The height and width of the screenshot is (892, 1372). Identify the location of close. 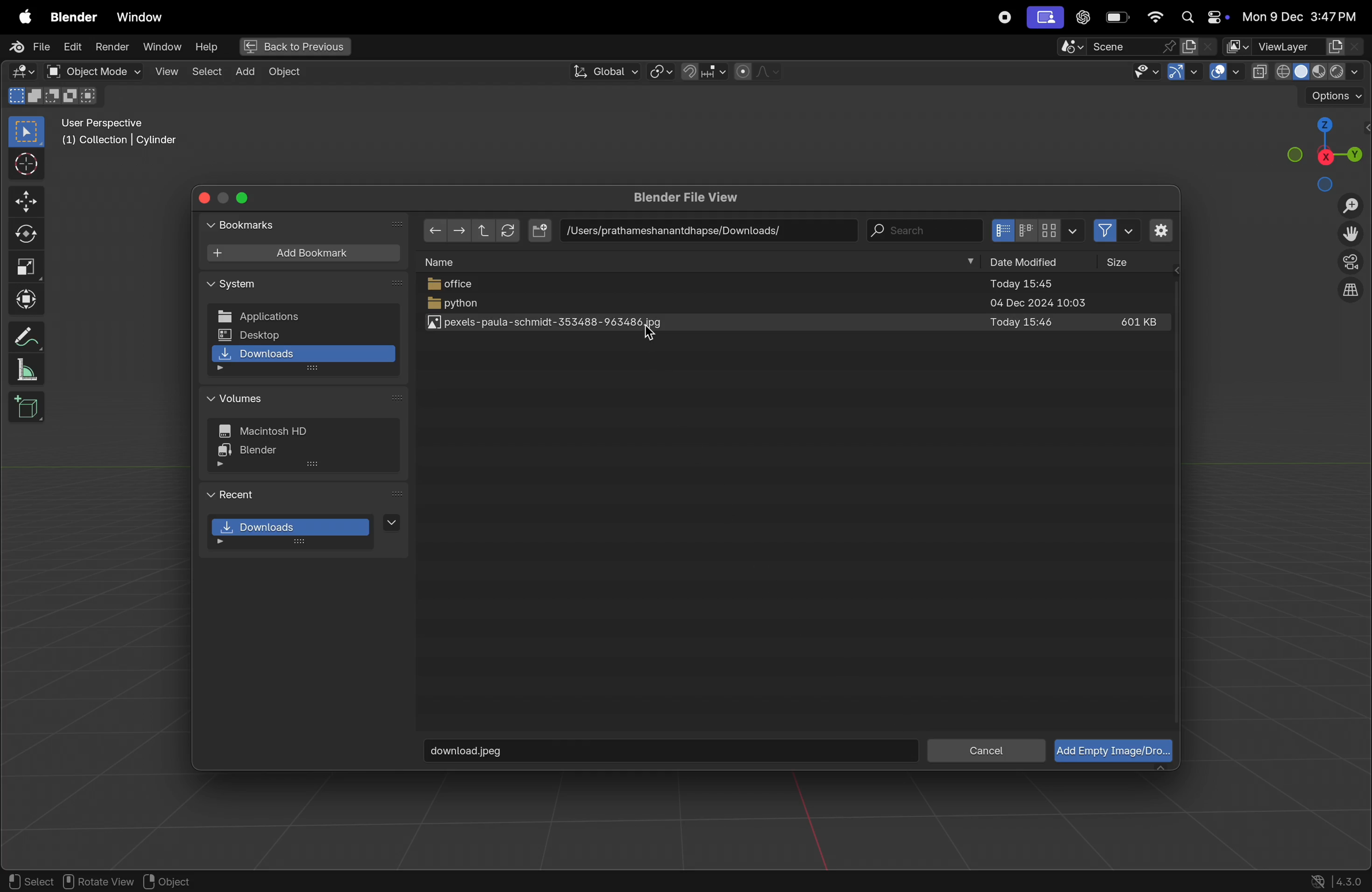
(206, 196).